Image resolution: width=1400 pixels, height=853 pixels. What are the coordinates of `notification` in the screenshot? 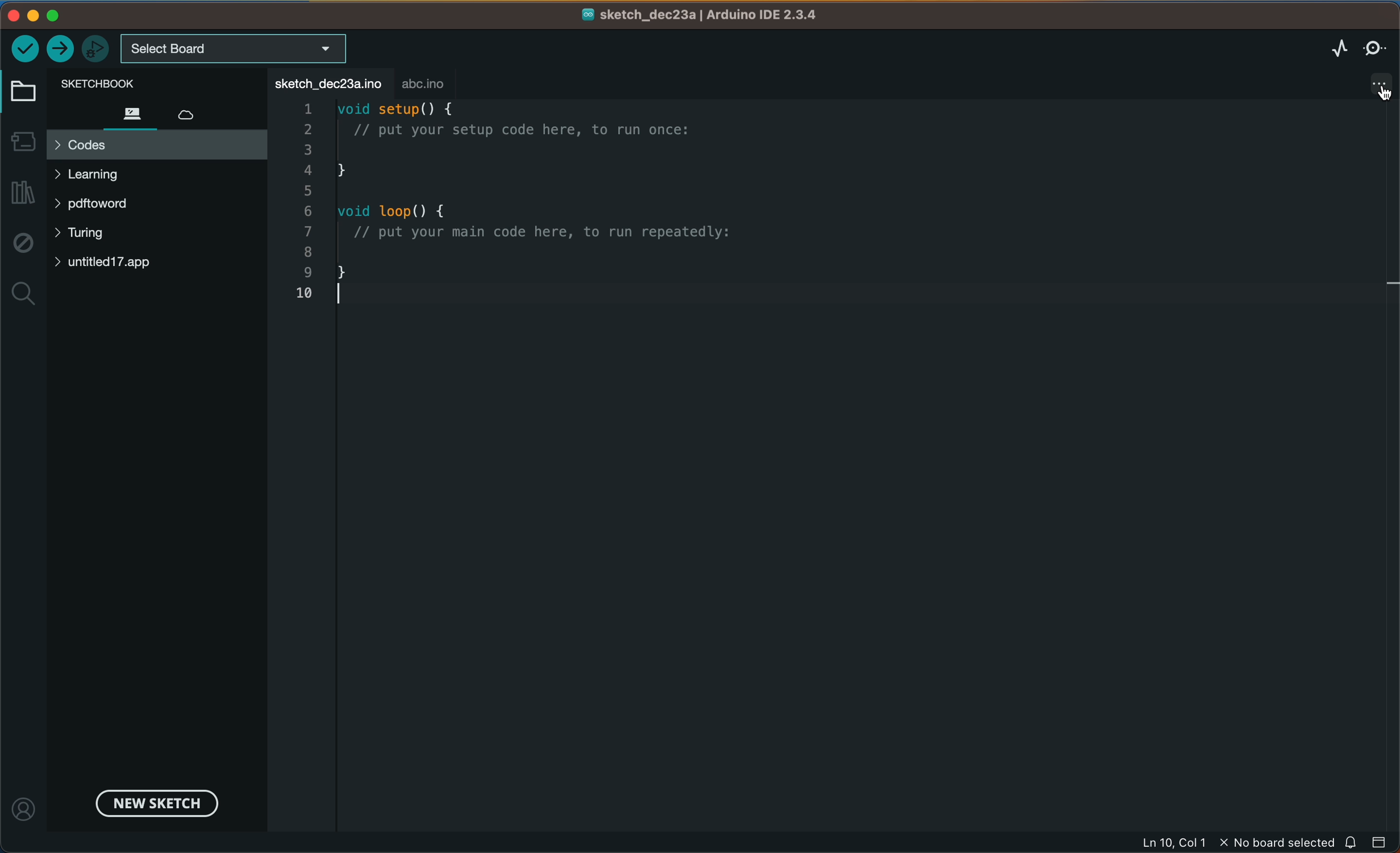 It's located at (1351, 843).